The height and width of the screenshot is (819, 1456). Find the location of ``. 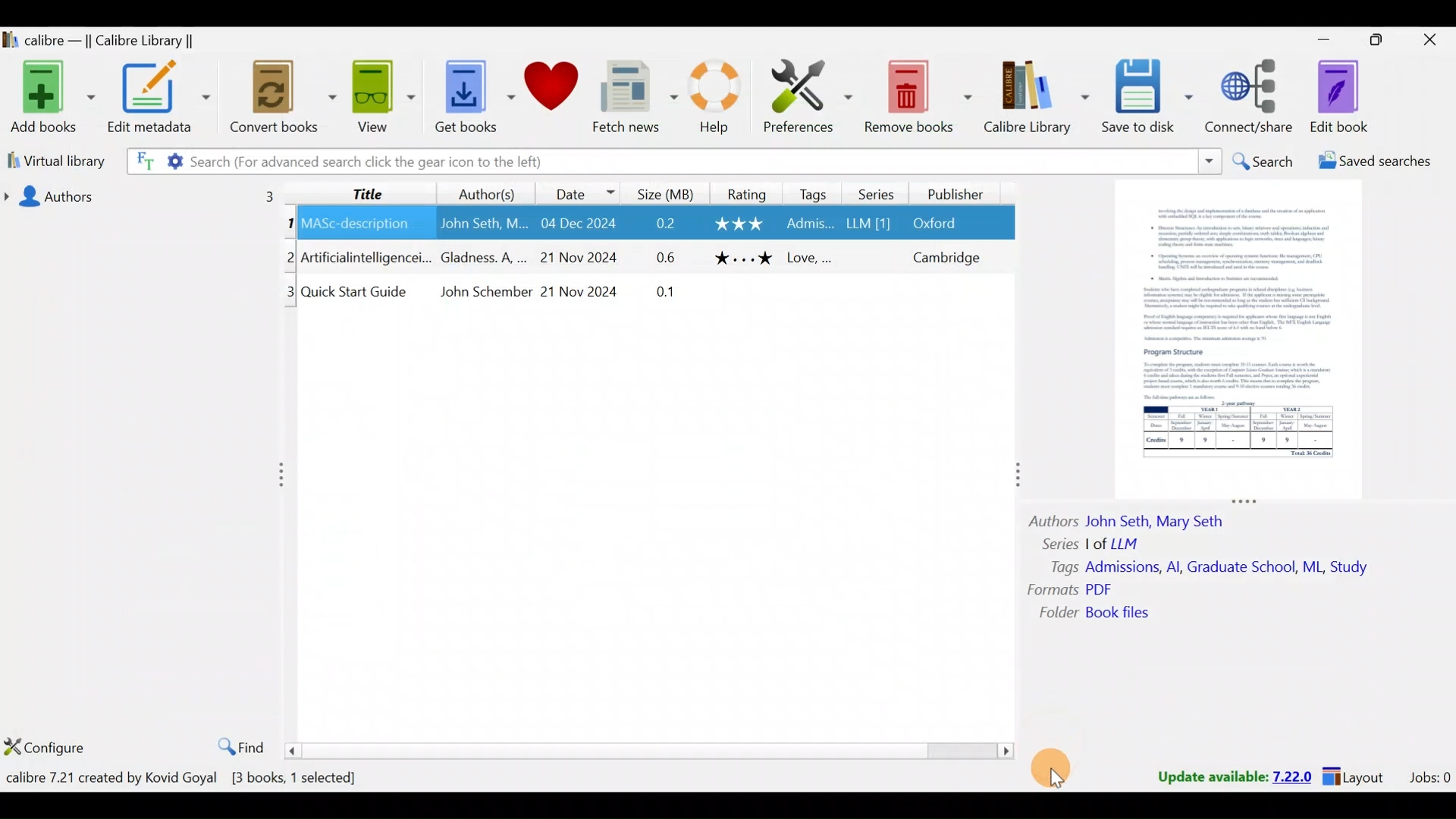

 is located at coordinates (739, 224).